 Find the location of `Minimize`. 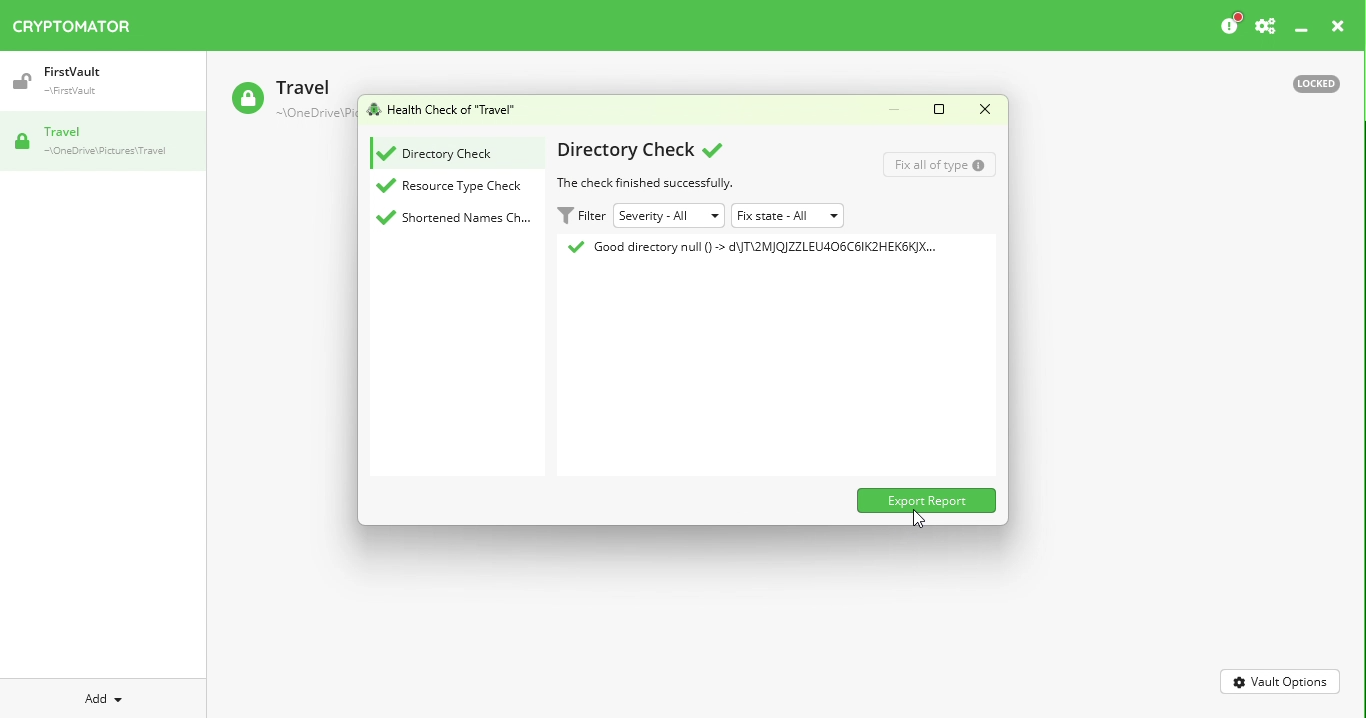

Minimize is located at coordinates (1306, 29).